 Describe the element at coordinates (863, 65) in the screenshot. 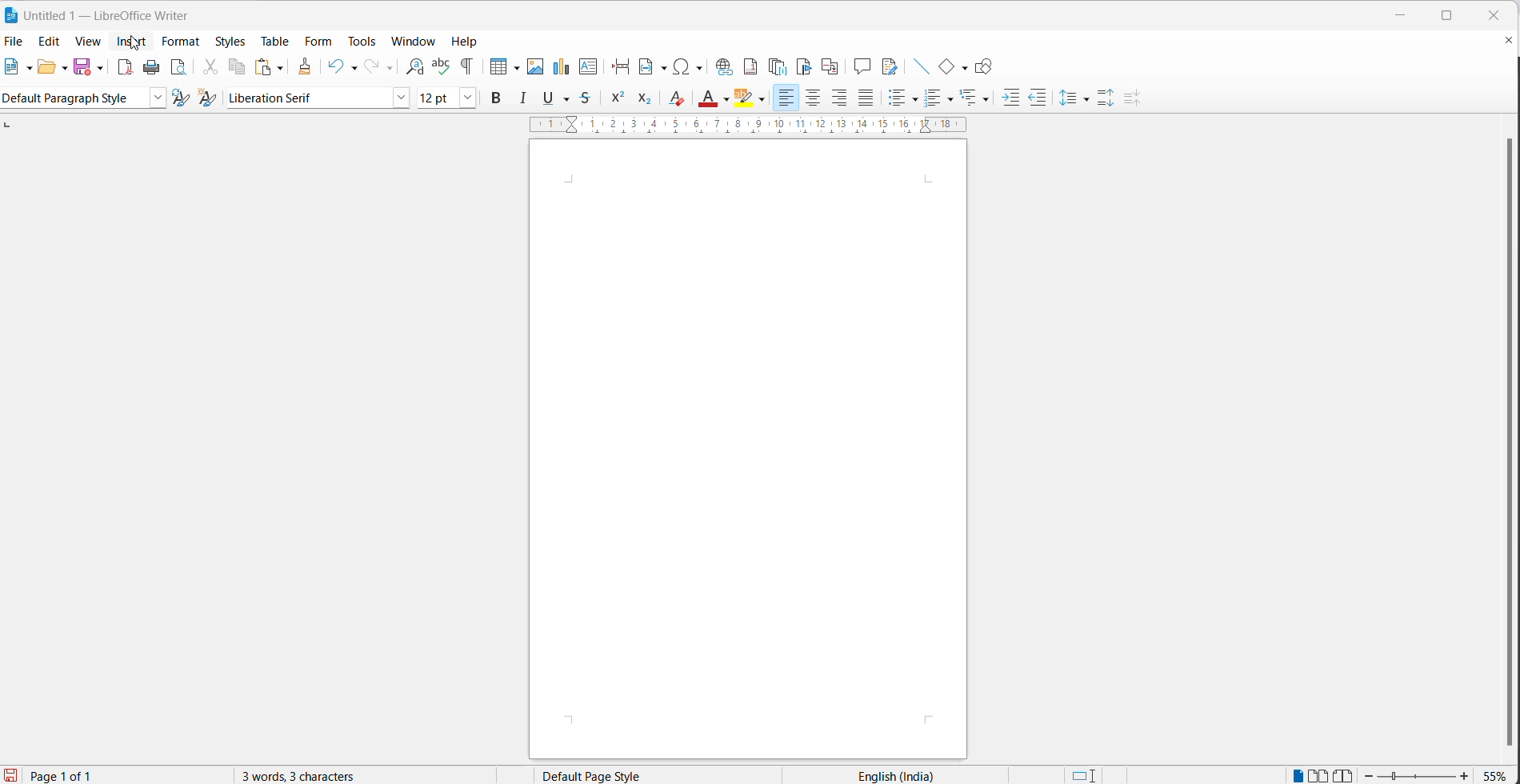

I see `insert comments` at that location.